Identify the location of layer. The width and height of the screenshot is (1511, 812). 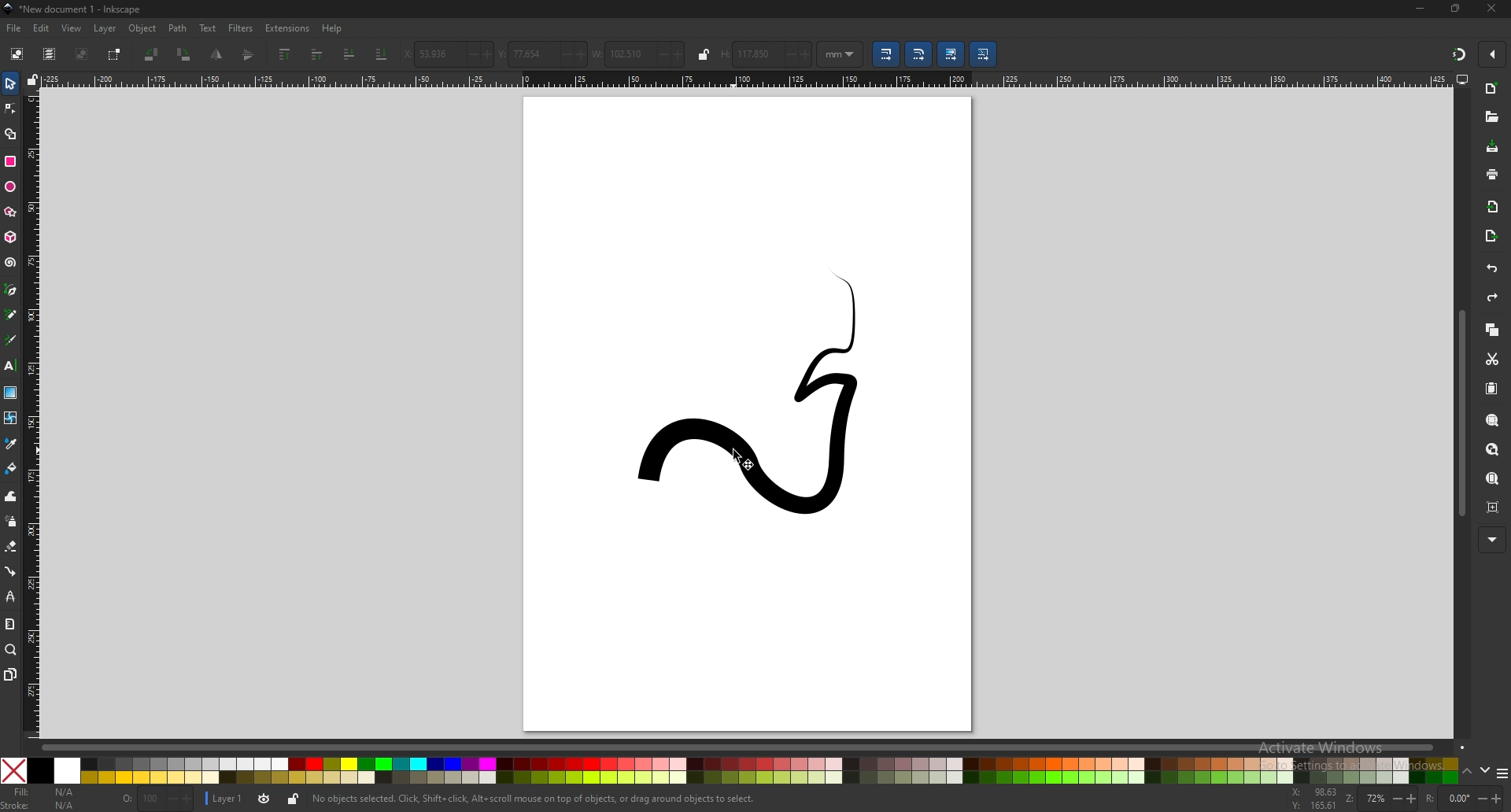
(105, 28).